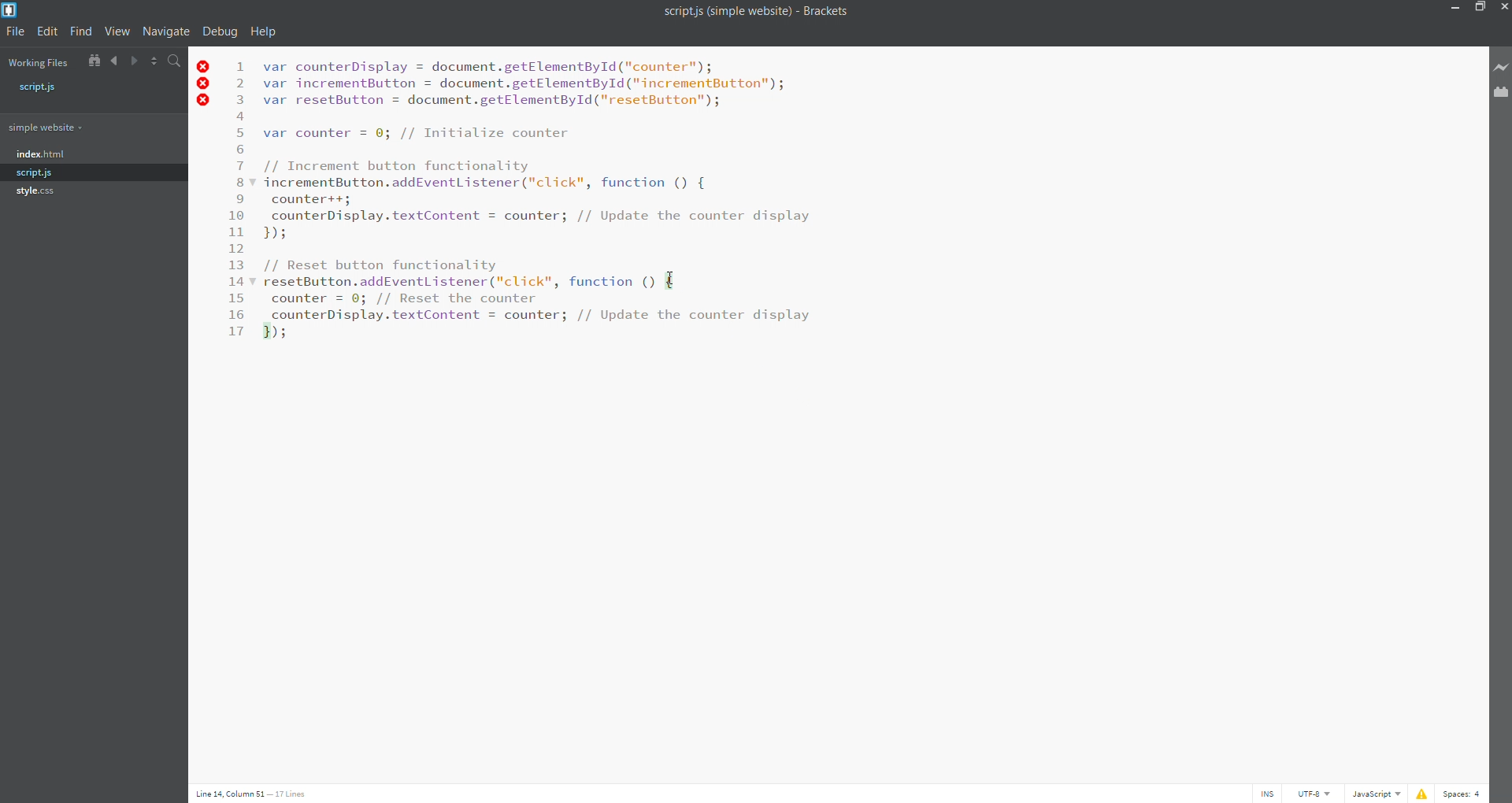 Image resolution: width=1512 pixels, height=803 pixels. What do you see at coordinates (45, 32) in the screenshot?
I see `edit` at bounding box center [45, 32].